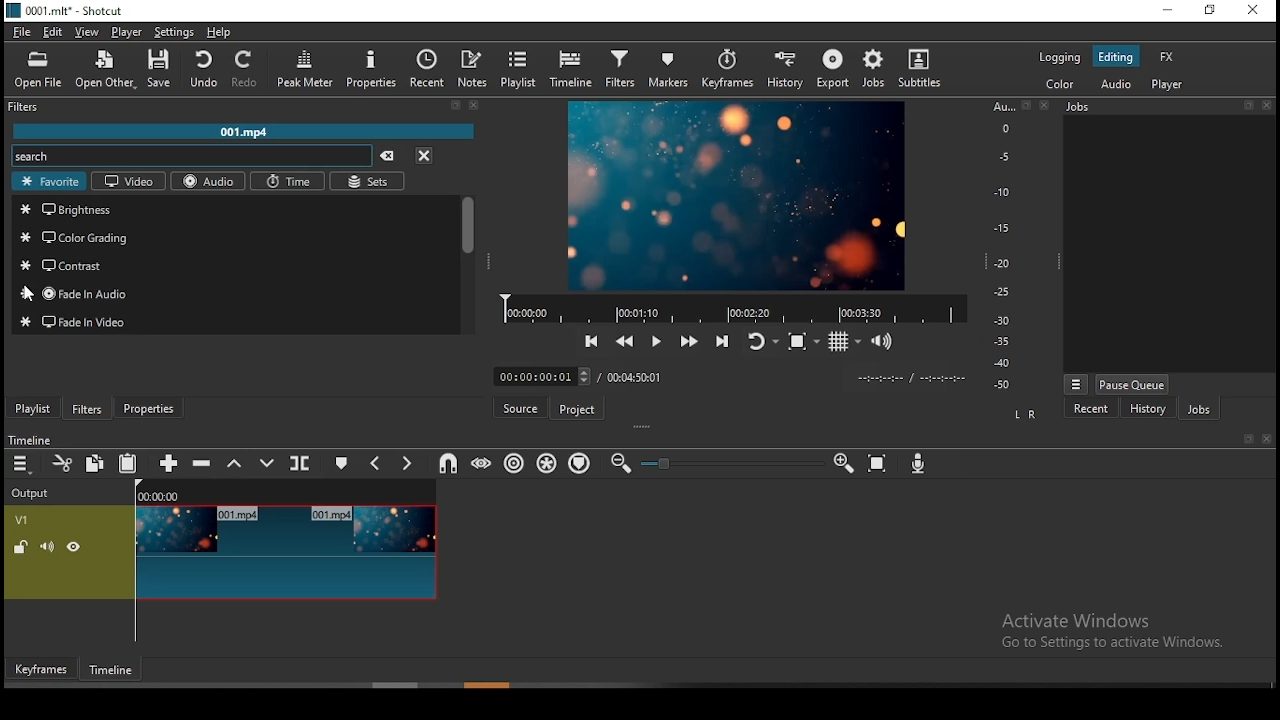  What do you see at coordinates (522, 71) in the screenshot?
I see `playlist` at bounding box center [522, 71].